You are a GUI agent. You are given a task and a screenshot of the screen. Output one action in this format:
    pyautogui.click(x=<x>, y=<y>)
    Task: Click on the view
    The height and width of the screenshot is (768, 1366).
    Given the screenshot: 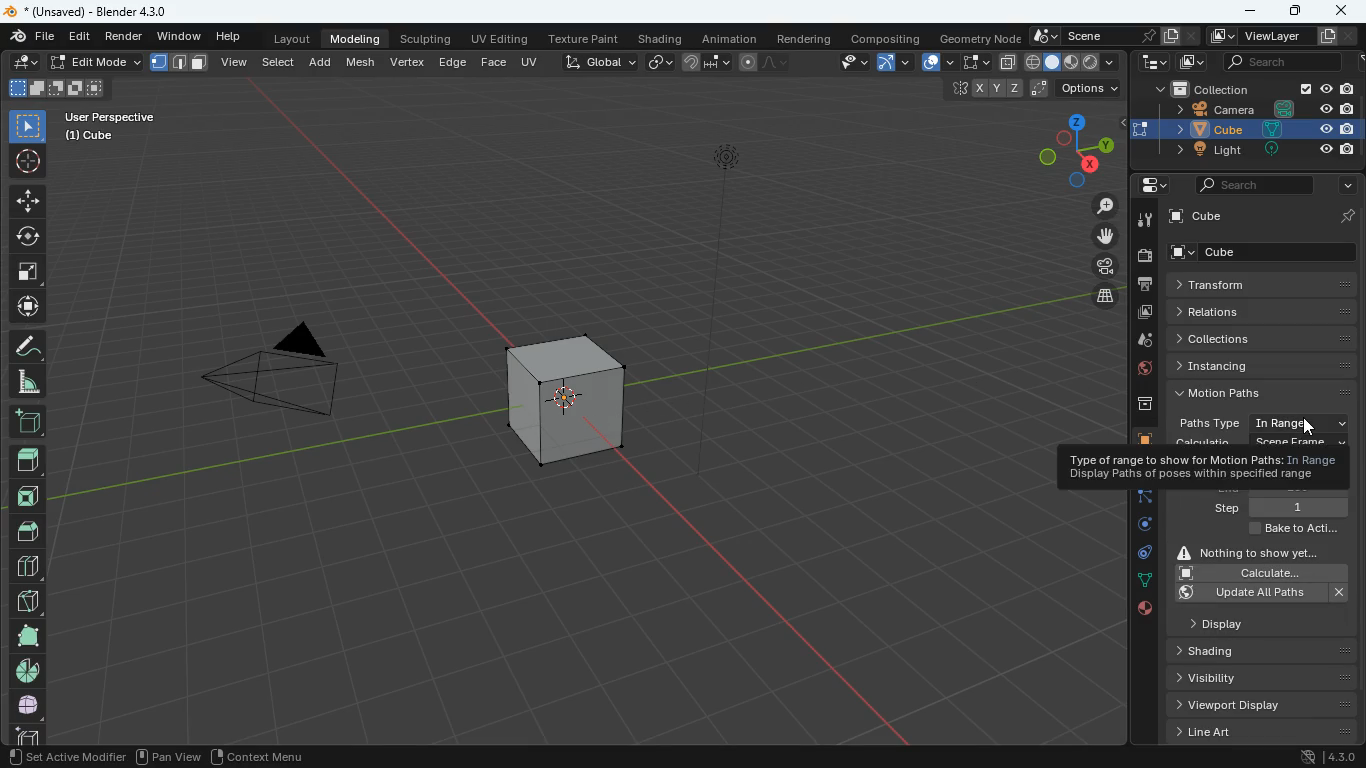 What is the action you would take?
    pyautogui.click(x=235, y=61)
    